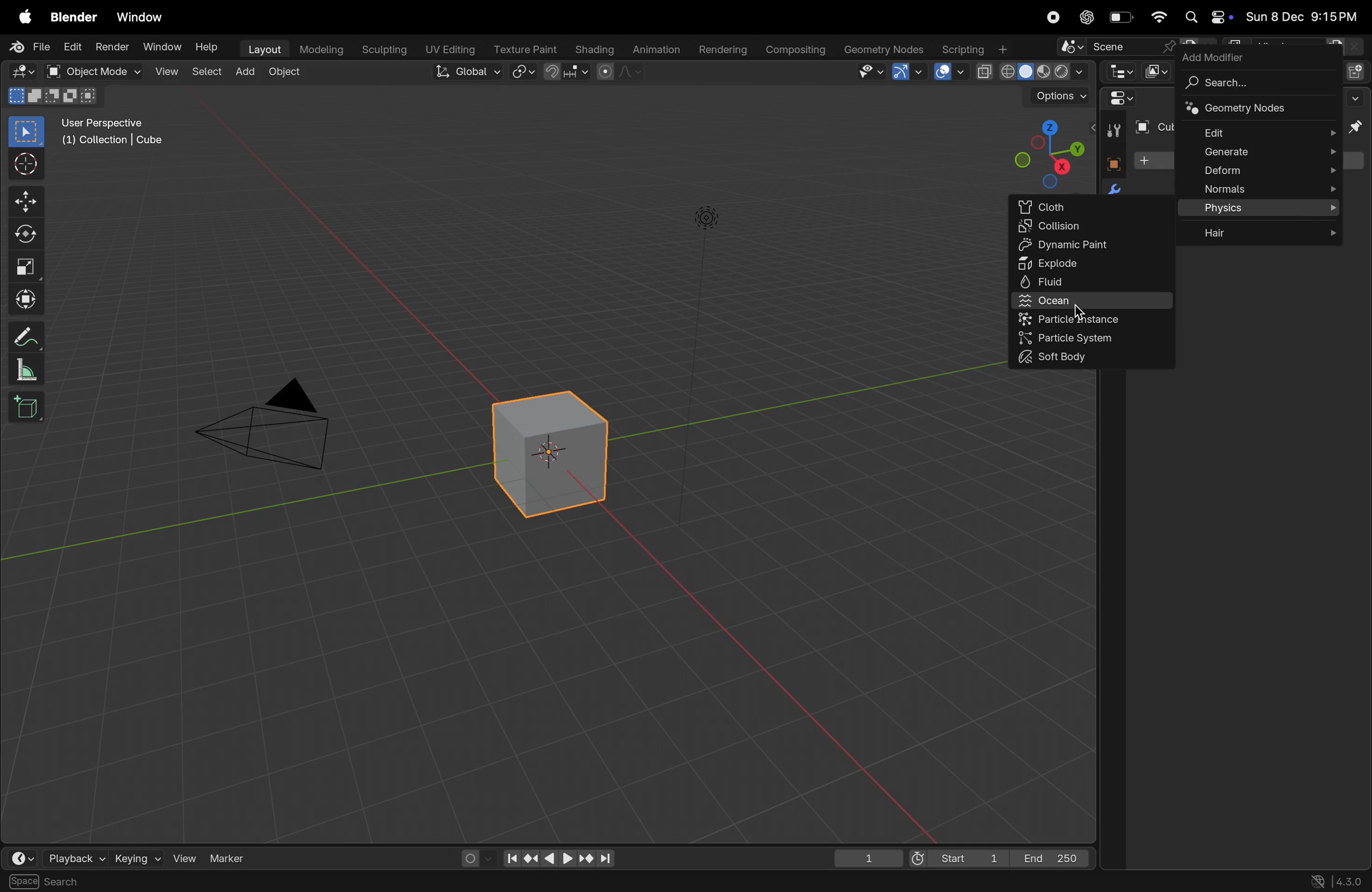 The width and height of the screenshot is (1372, 892). What do you see at coordinates (559, 859) in the screenshot?
I see `playbacks controls` at bounding box center [559, 859].